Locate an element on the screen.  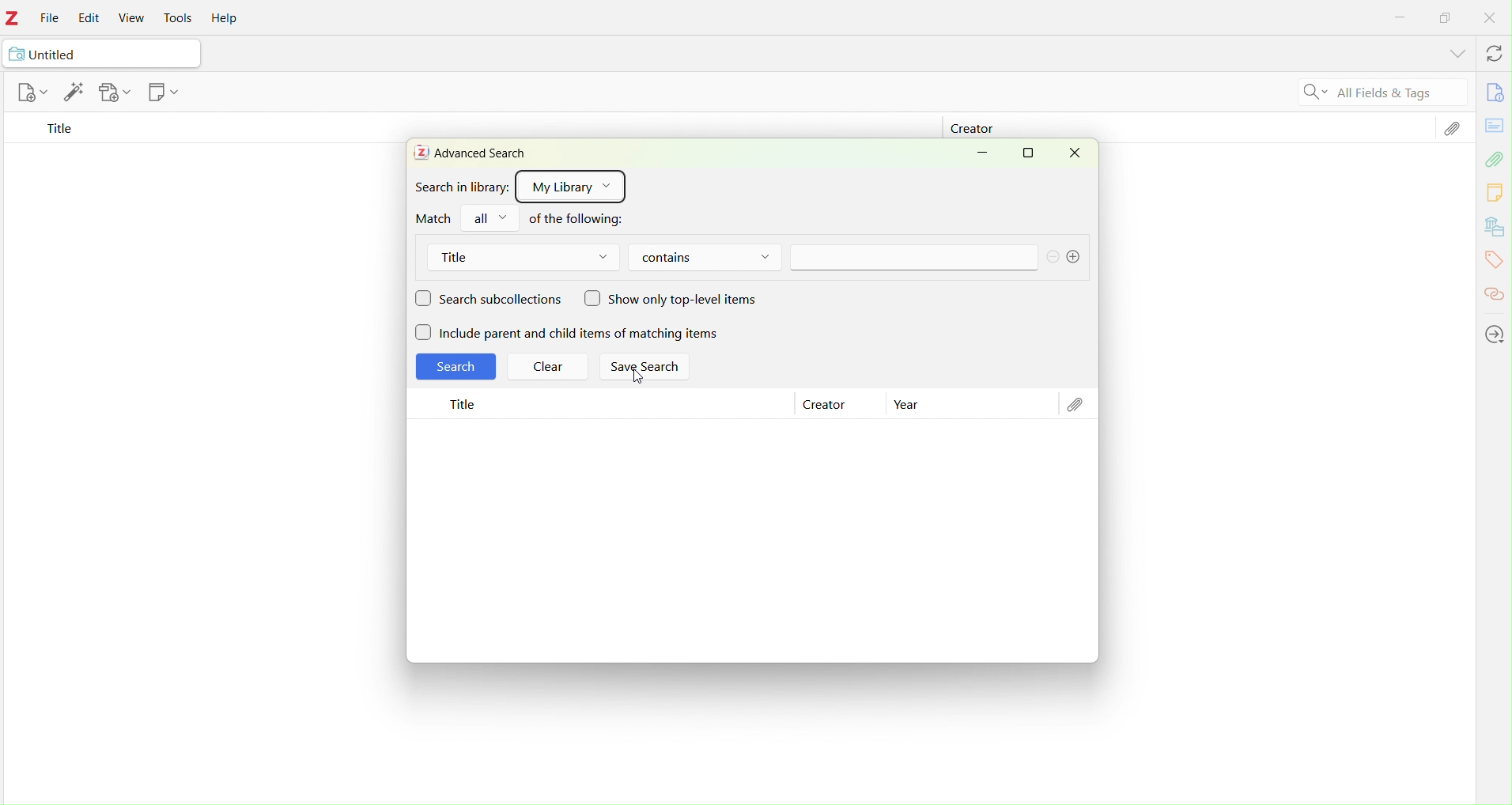
Links is located at coordinates (1495, 289).